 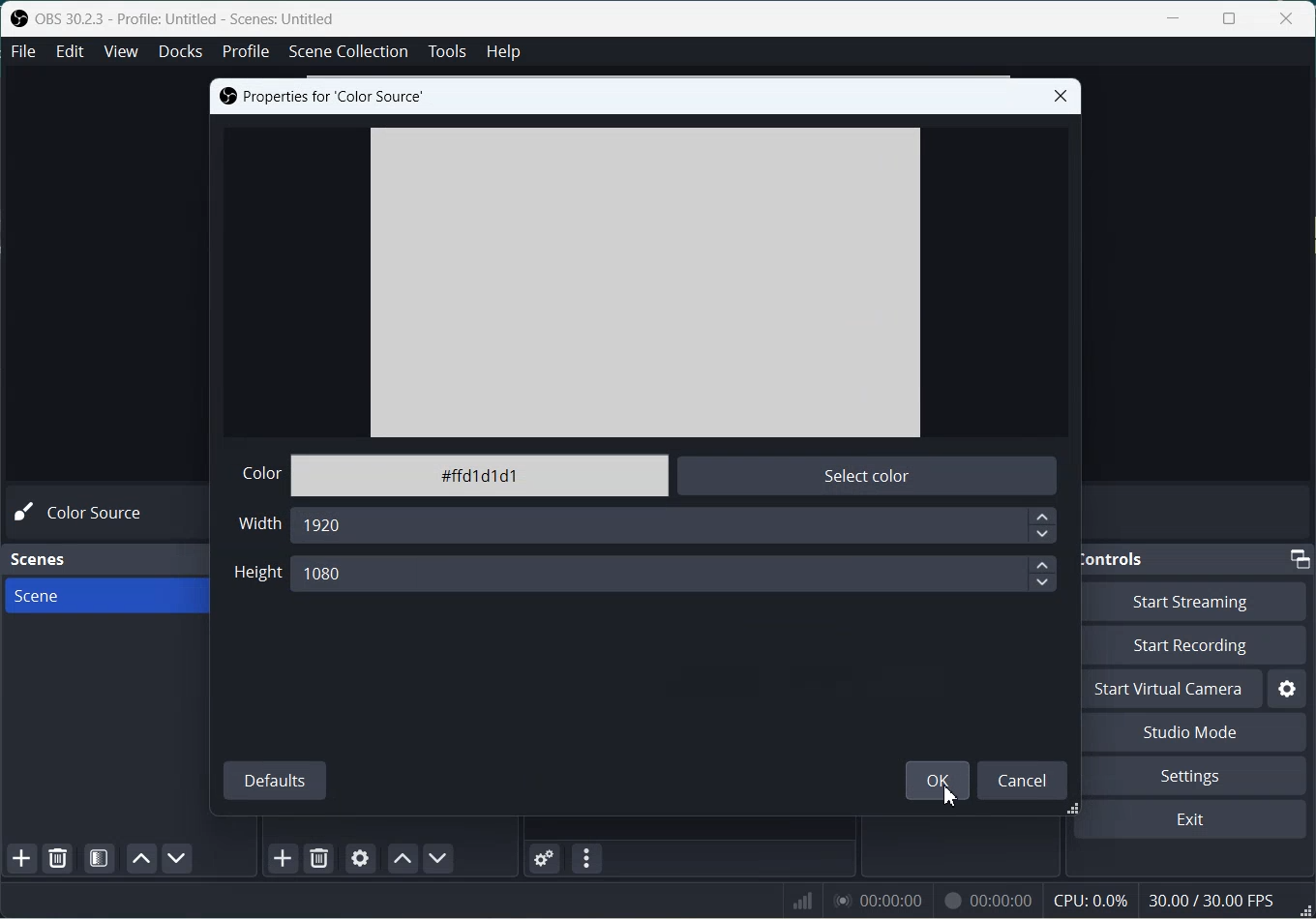 What do you see at coordinates (259, 475) in the screenshot?
I see `Color` at bounding box center [259, 475].